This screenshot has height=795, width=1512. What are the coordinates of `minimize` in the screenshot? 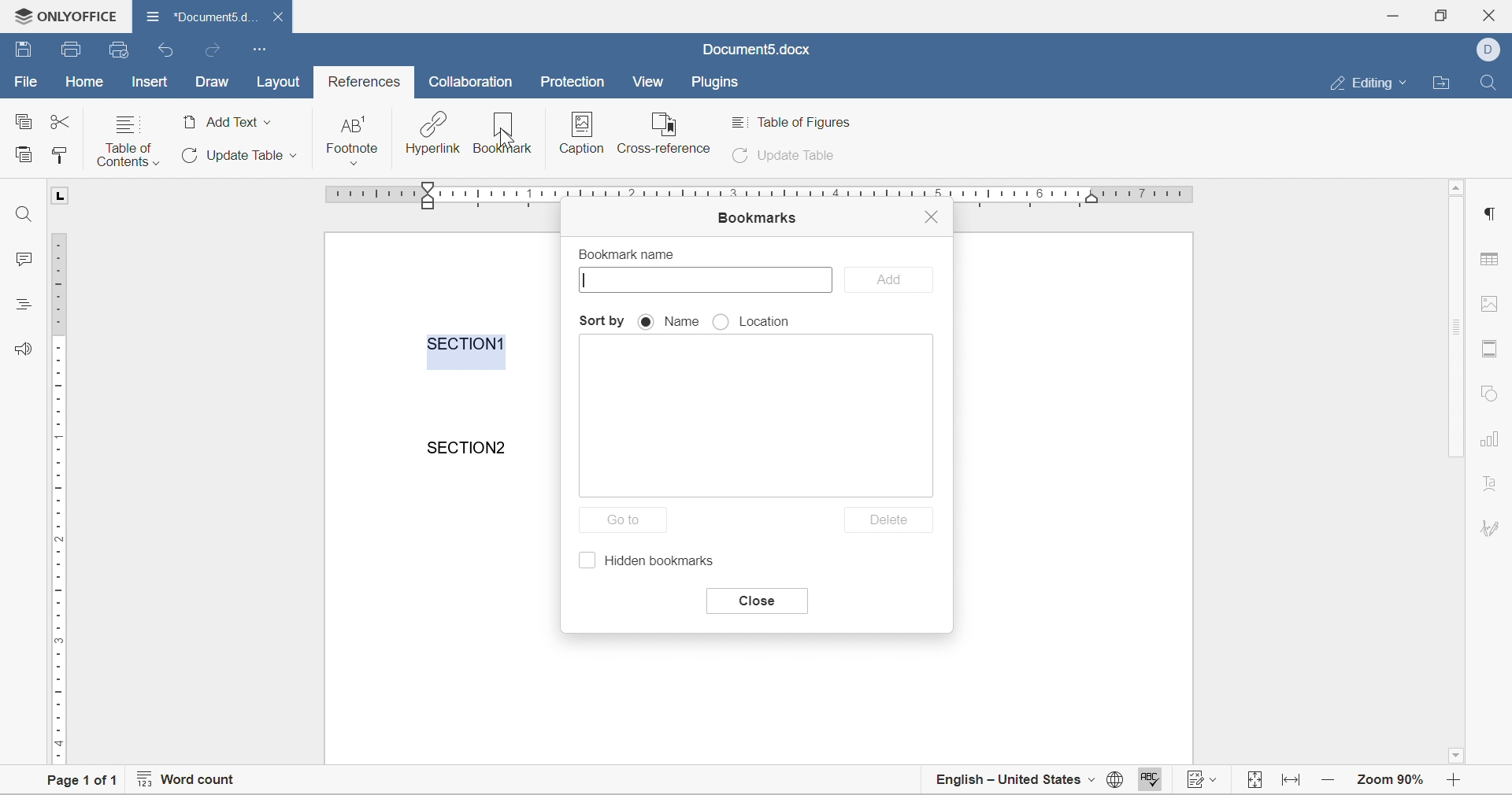 It's located at (1396, 13).